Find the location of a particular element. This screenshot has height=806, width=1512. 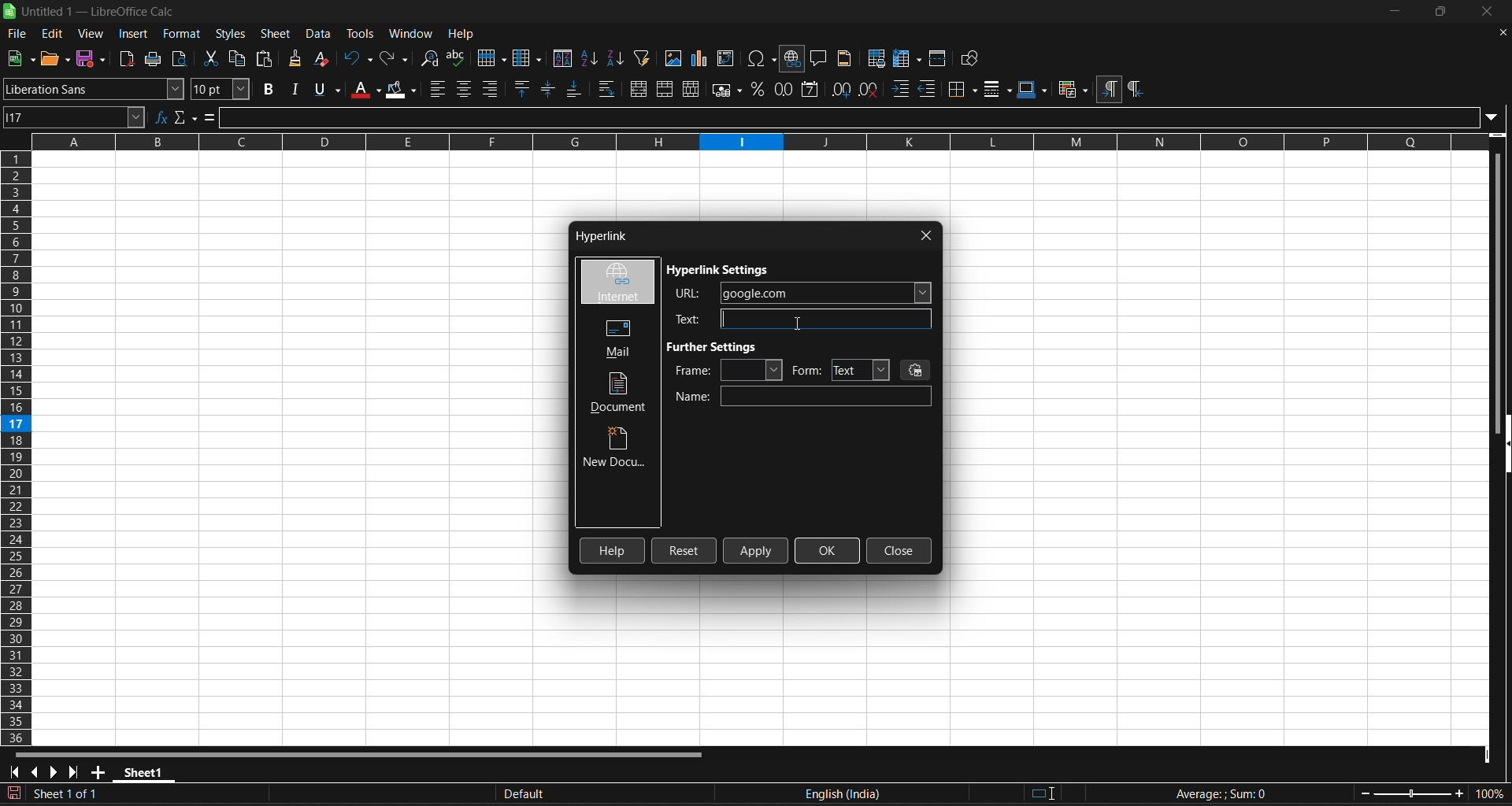

minimize is located at coordinates (1396, 11).